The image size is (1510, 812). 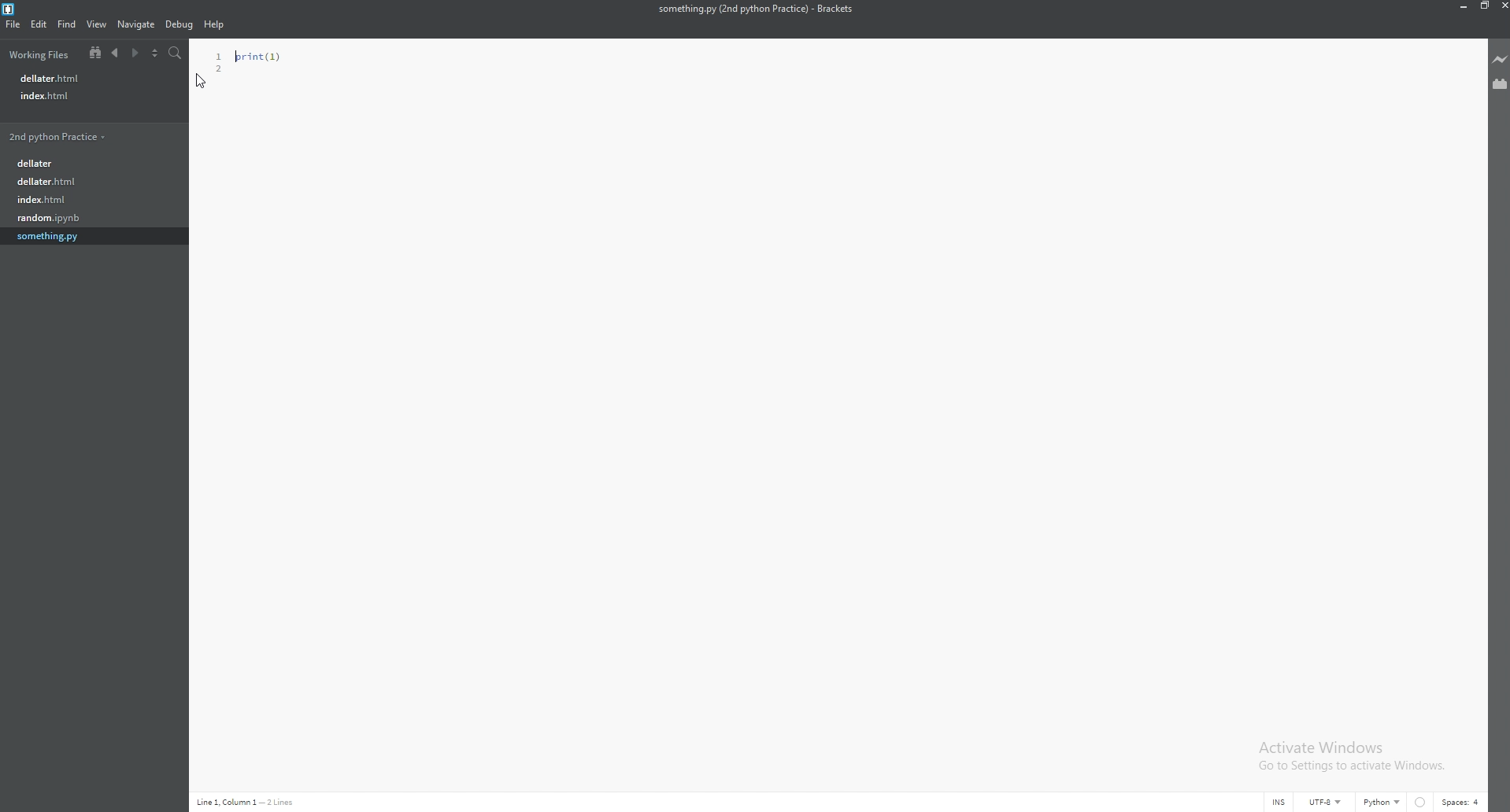 I want to click on file, so click(x=78, y=201).